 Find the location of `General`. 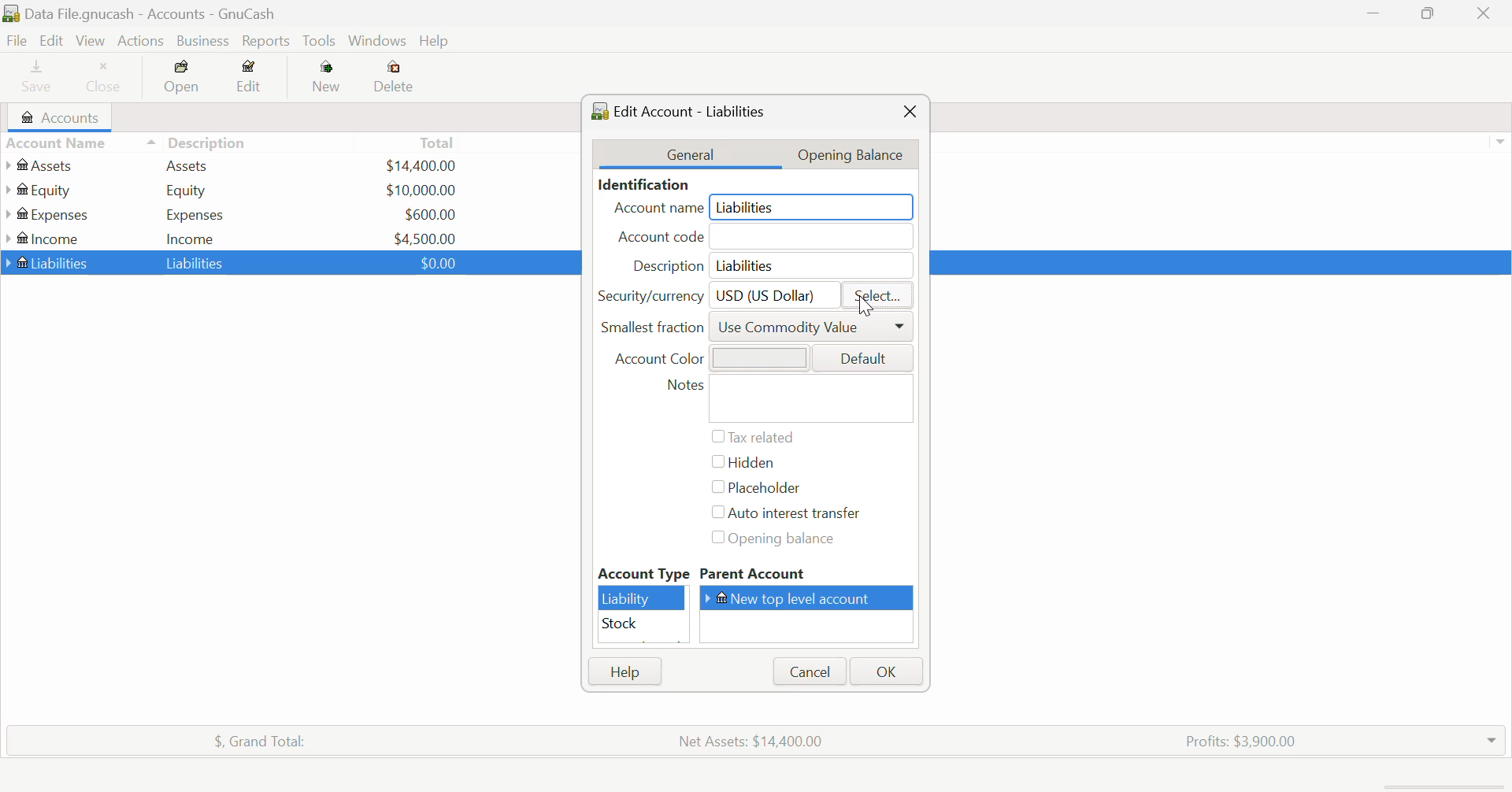

General is located at coordinates (691, 154).